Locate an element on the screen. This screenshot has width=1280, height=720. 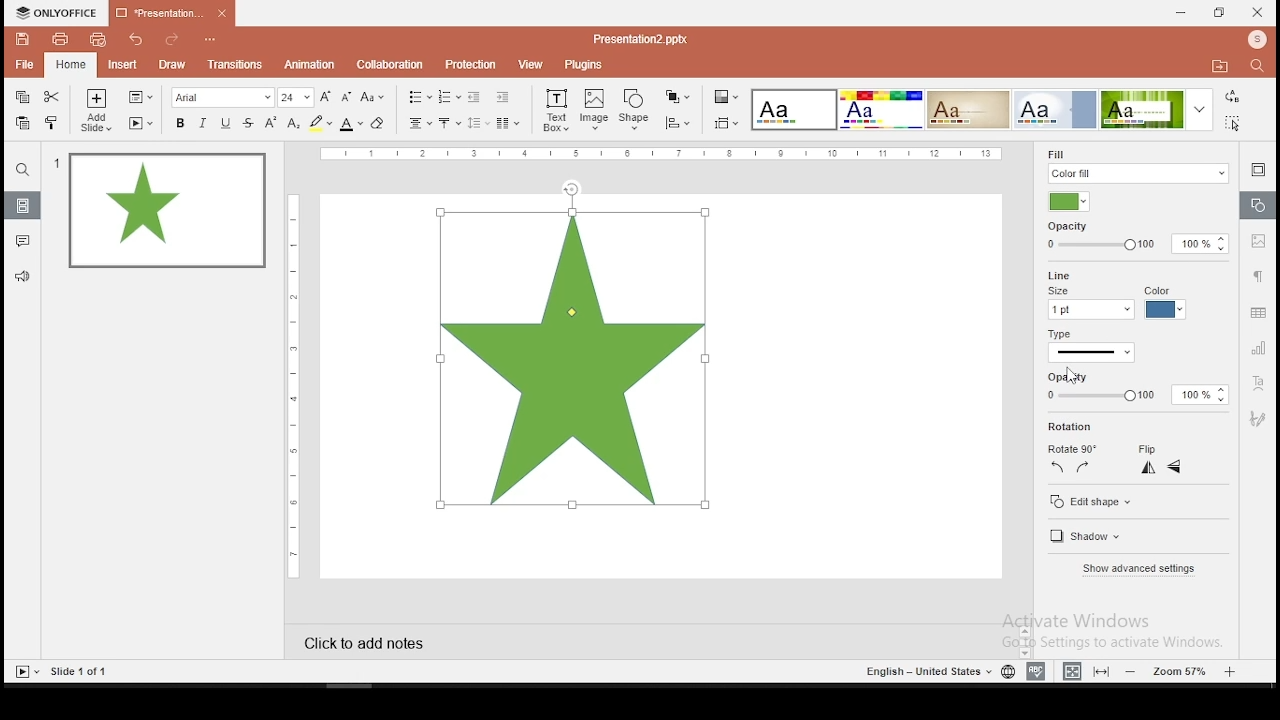
find is located at coordinates (1261, 68).